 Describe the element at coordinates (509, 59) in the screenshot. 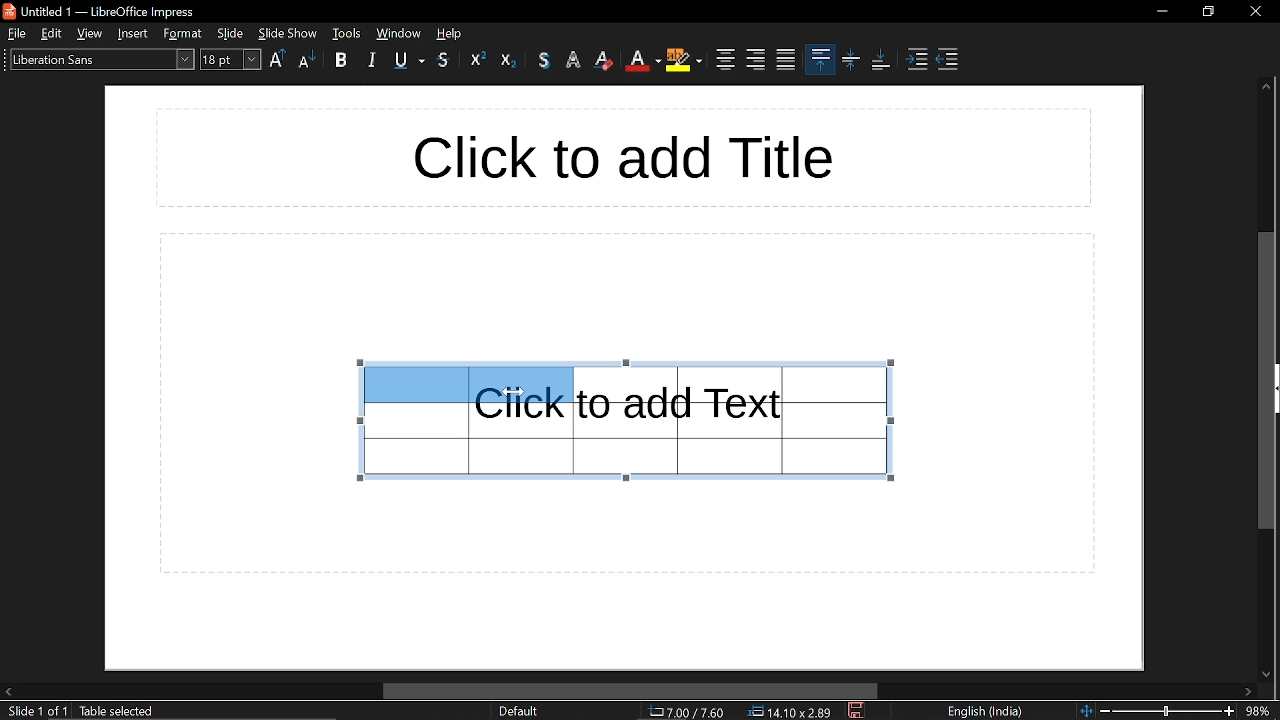

I see `subscript` at that location.